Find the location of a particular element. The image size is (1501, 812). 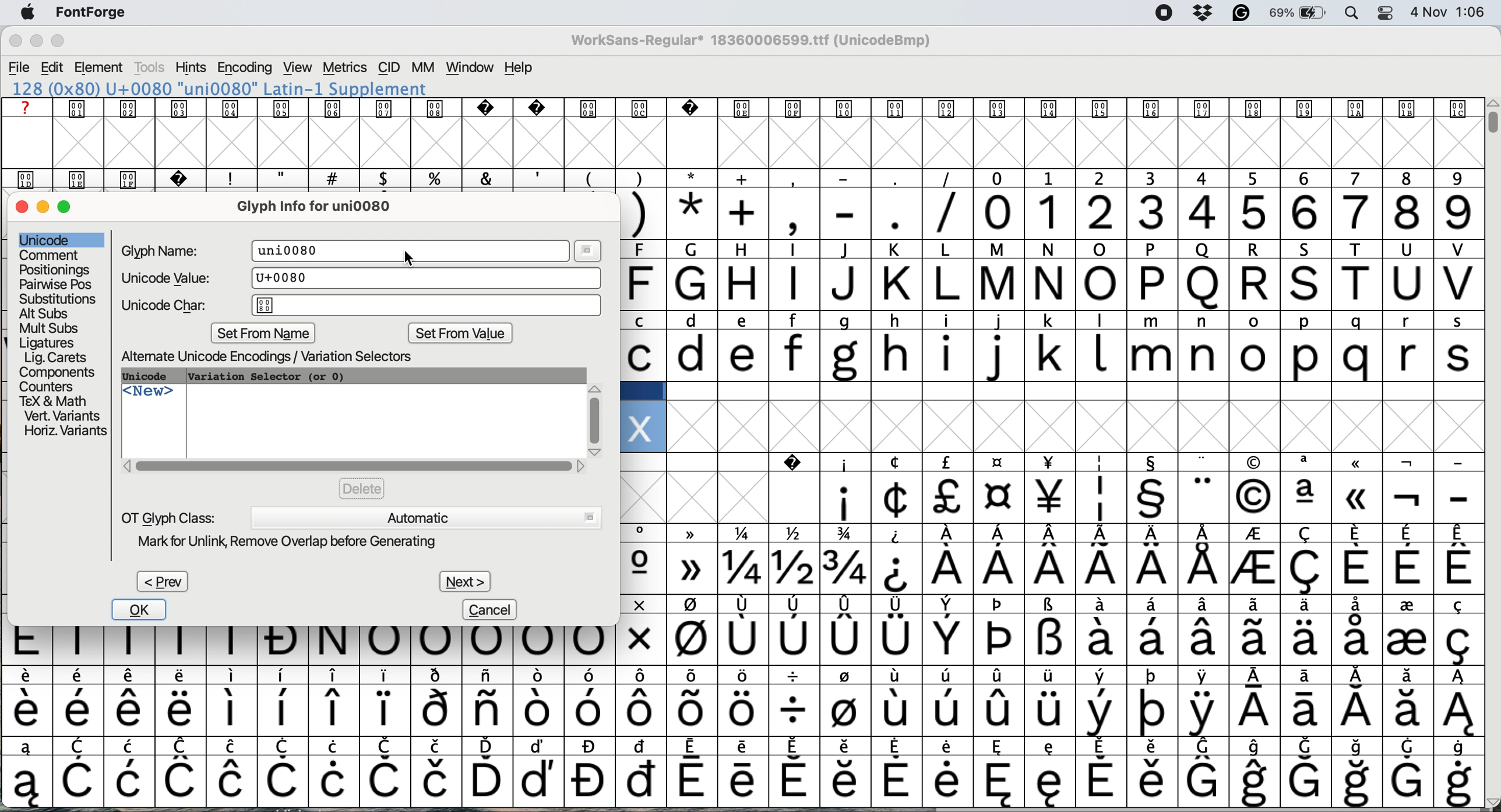

special characters is located at coordinates (1050, 535).